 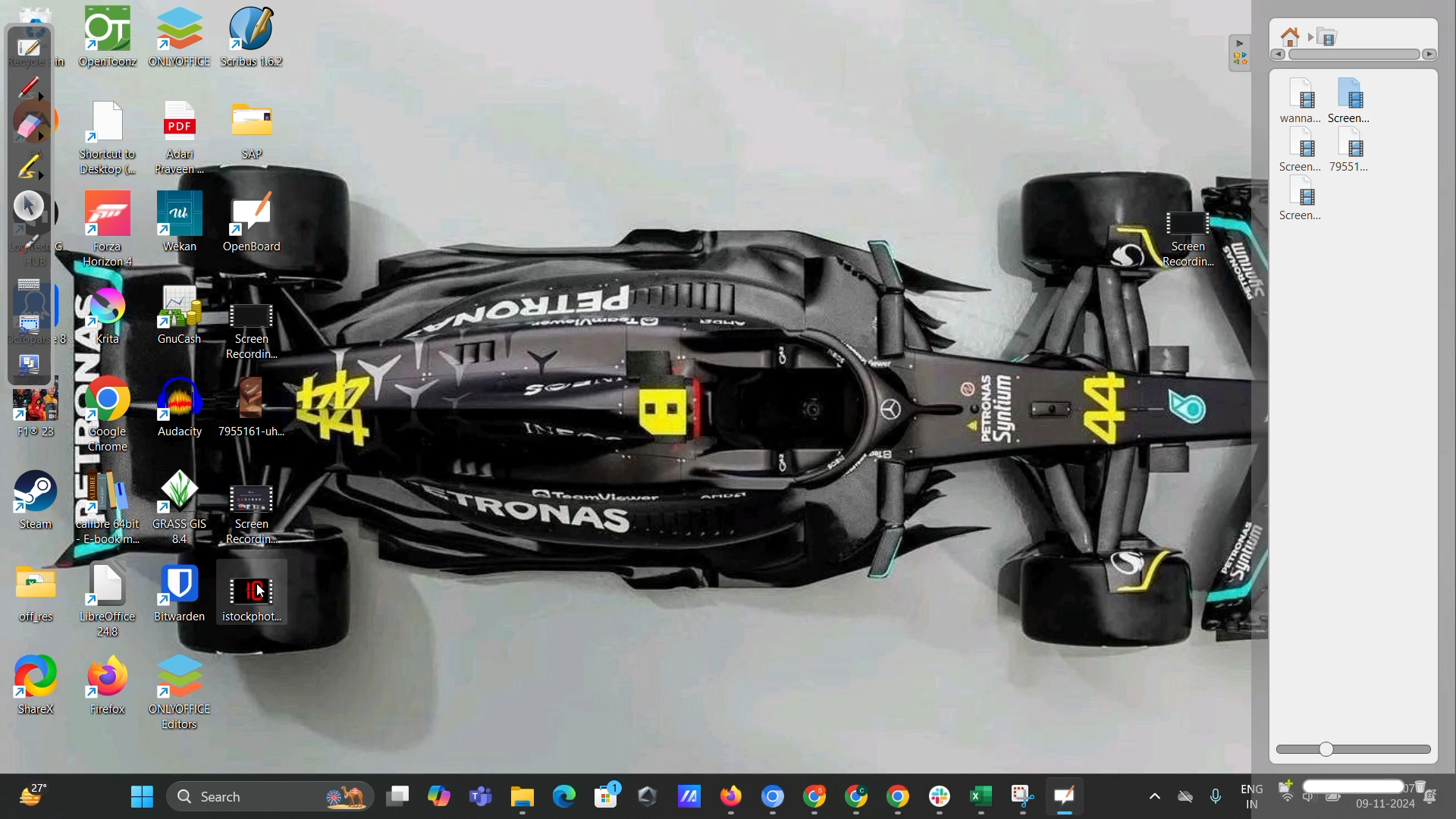 I want to click on shortcut on desktop taskbar, so click(x=689, y=798).